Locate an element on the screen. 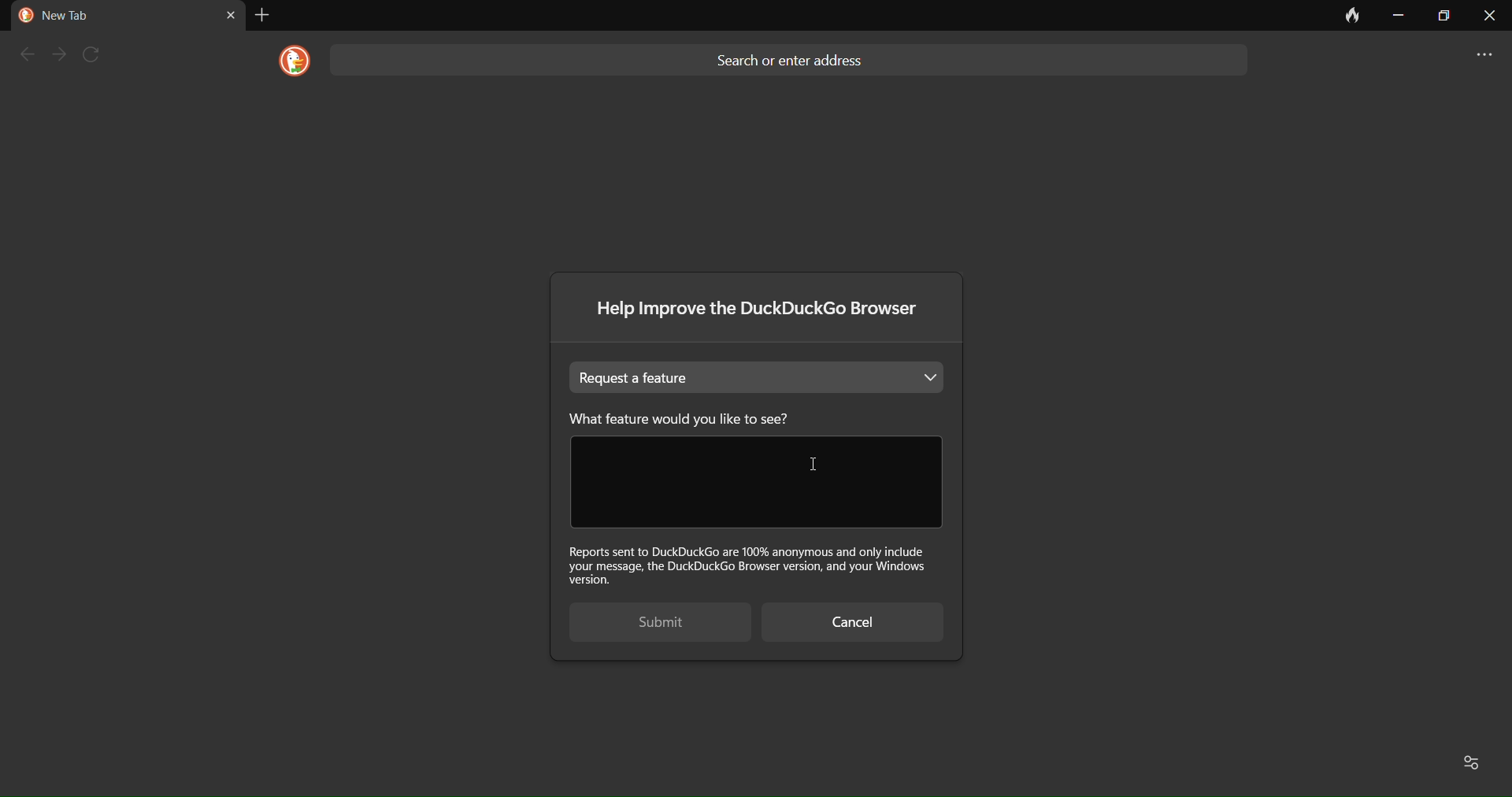 The width and height of the screenshot is (1512, 797). close tab is located at coordinates (230, 14).